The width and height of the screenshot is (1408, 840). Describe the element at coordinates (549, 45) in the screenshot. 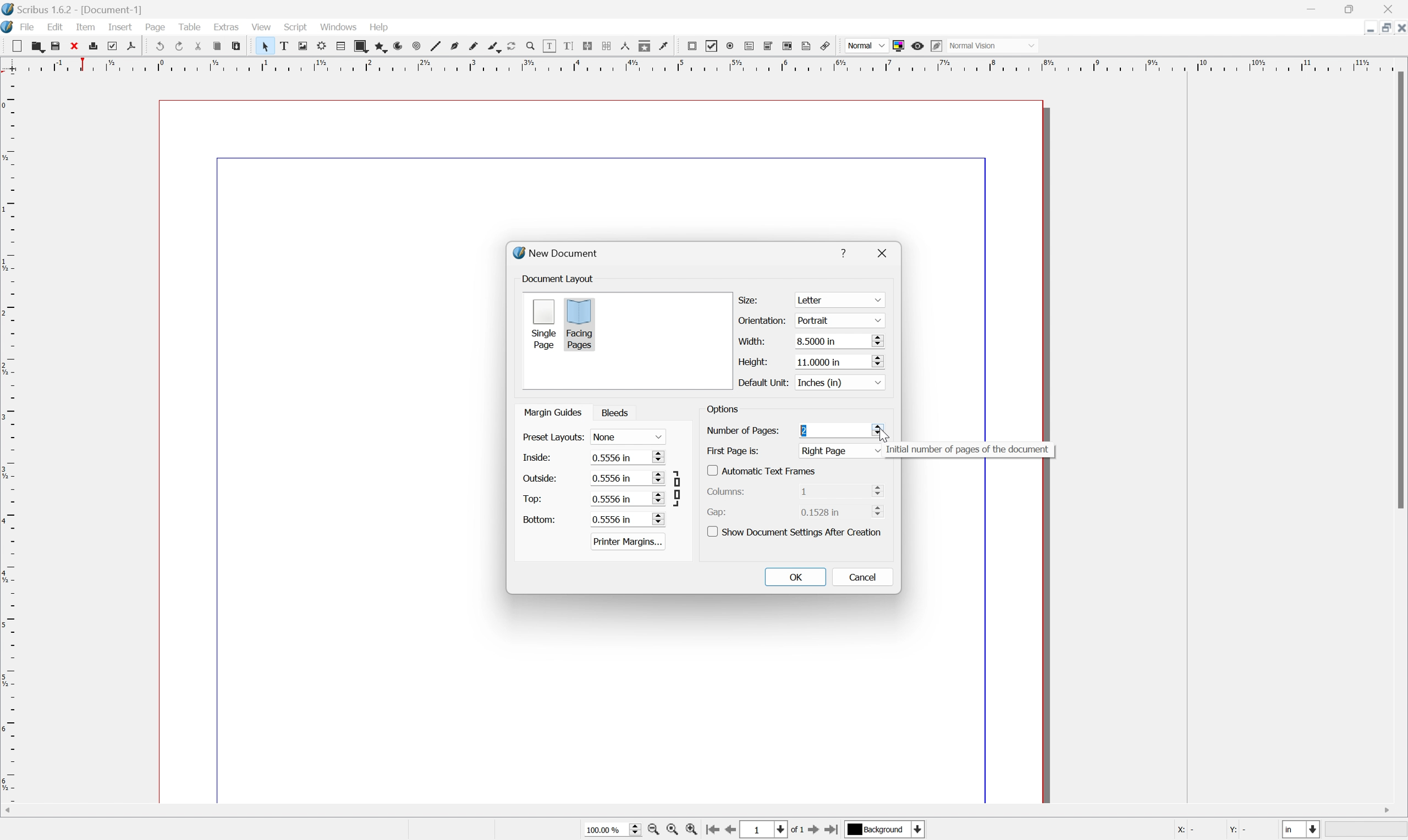

I see `Edit contents of frame` at that location.